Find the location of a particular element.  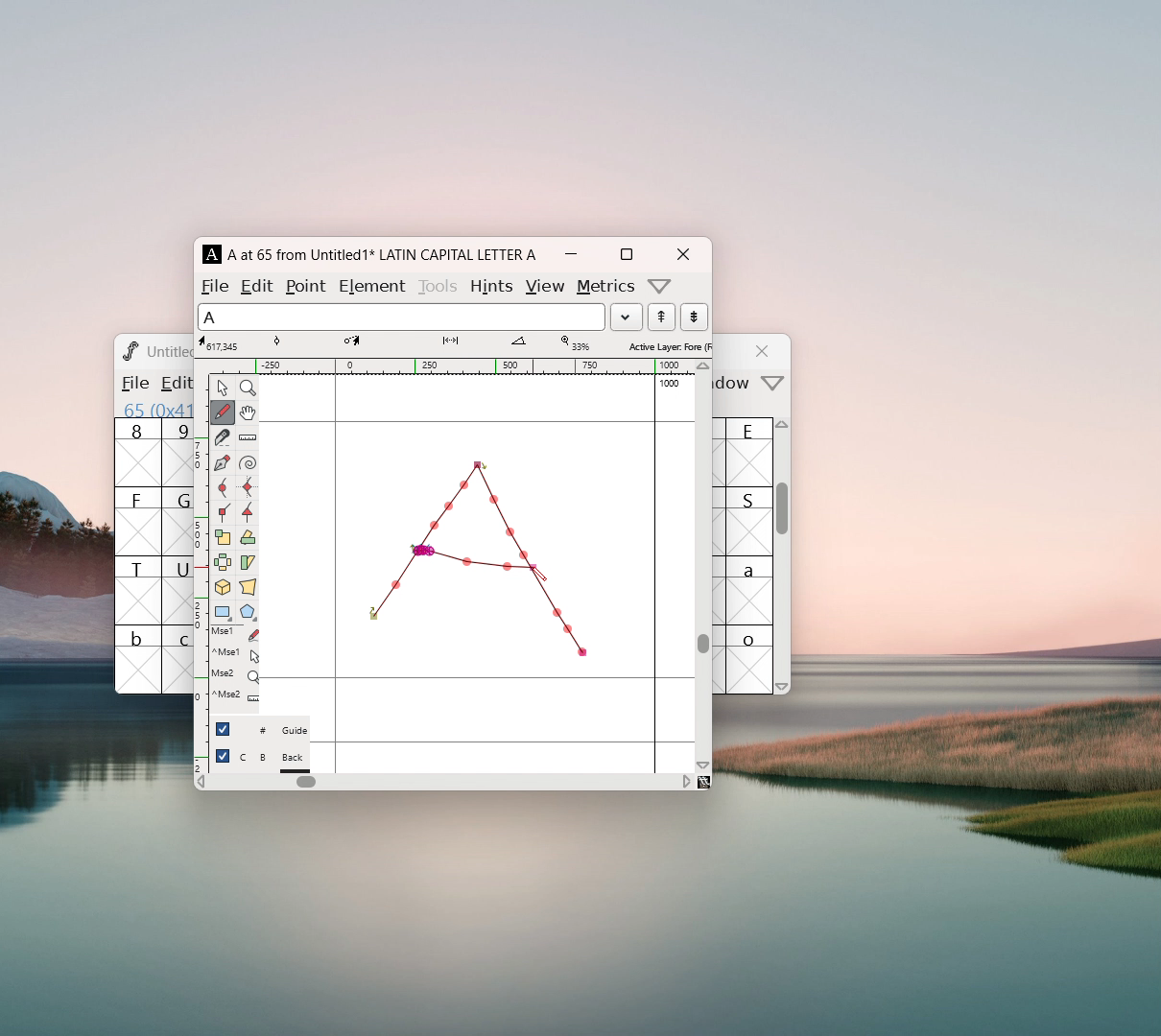

distance from starting point is located at coordinates (466, 345).